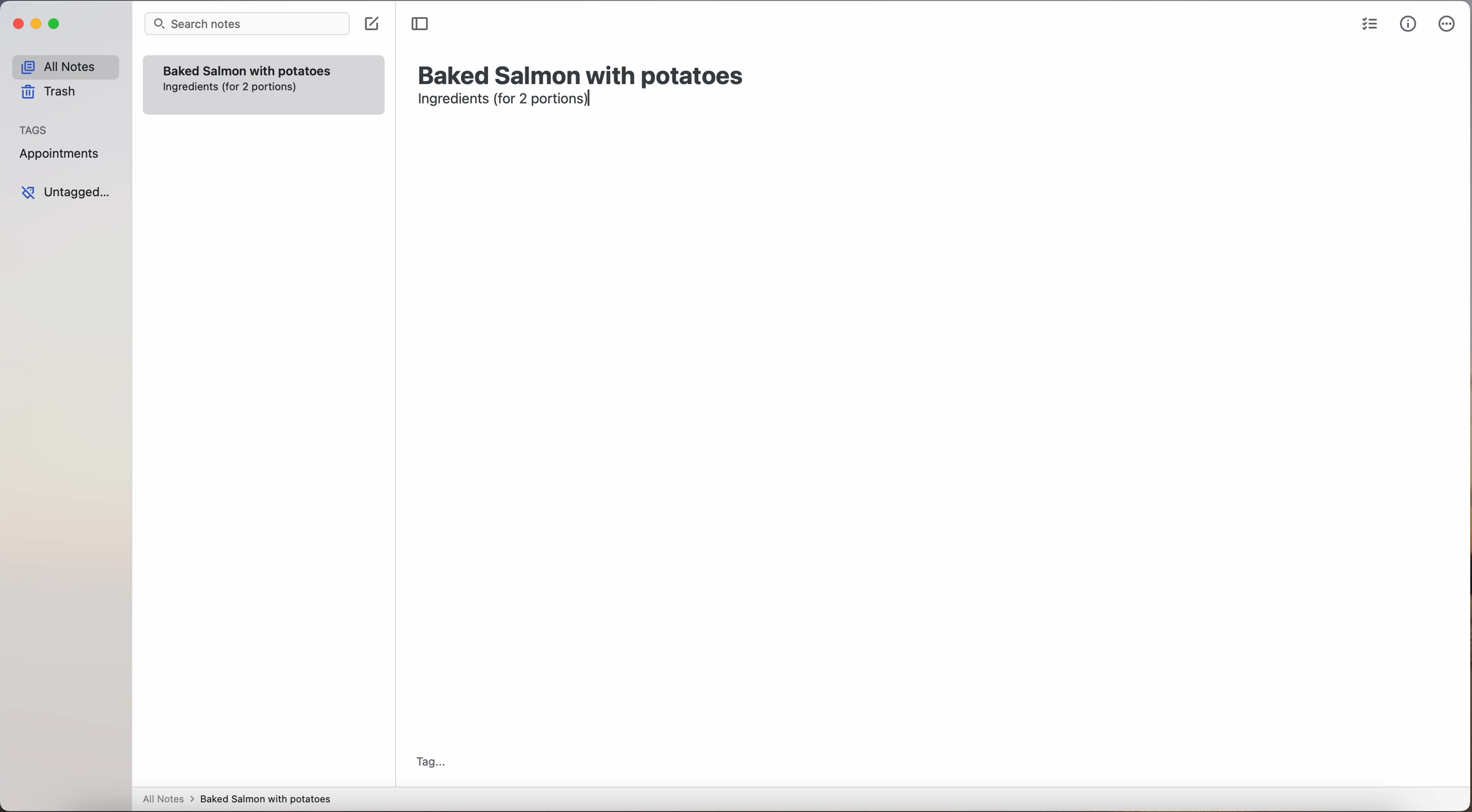  Describe the element at coordinates (56, 23) in the screenshot. I see `maximize` at that location.